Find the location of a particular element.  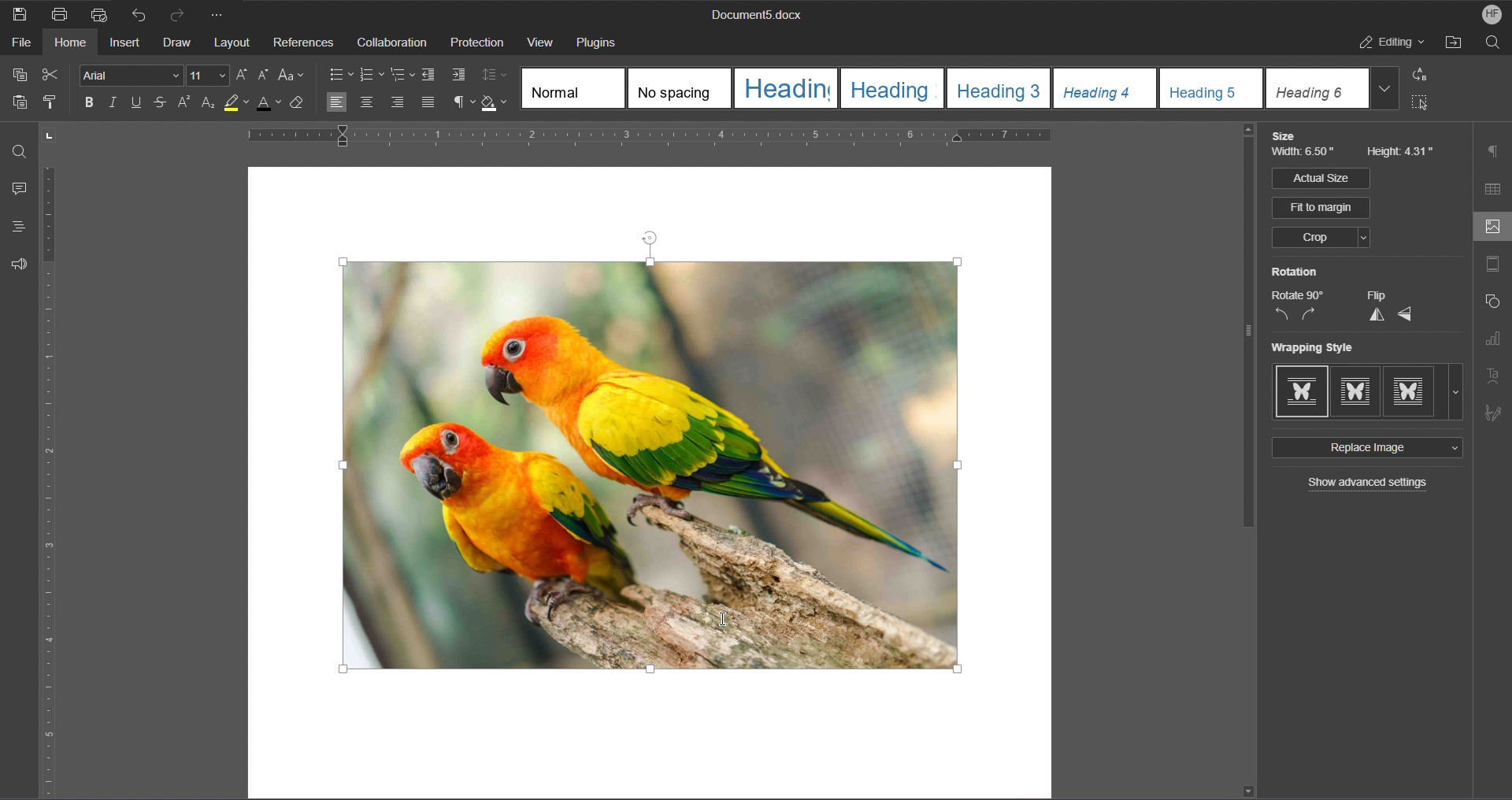

File is located at coordinates (17, 45).